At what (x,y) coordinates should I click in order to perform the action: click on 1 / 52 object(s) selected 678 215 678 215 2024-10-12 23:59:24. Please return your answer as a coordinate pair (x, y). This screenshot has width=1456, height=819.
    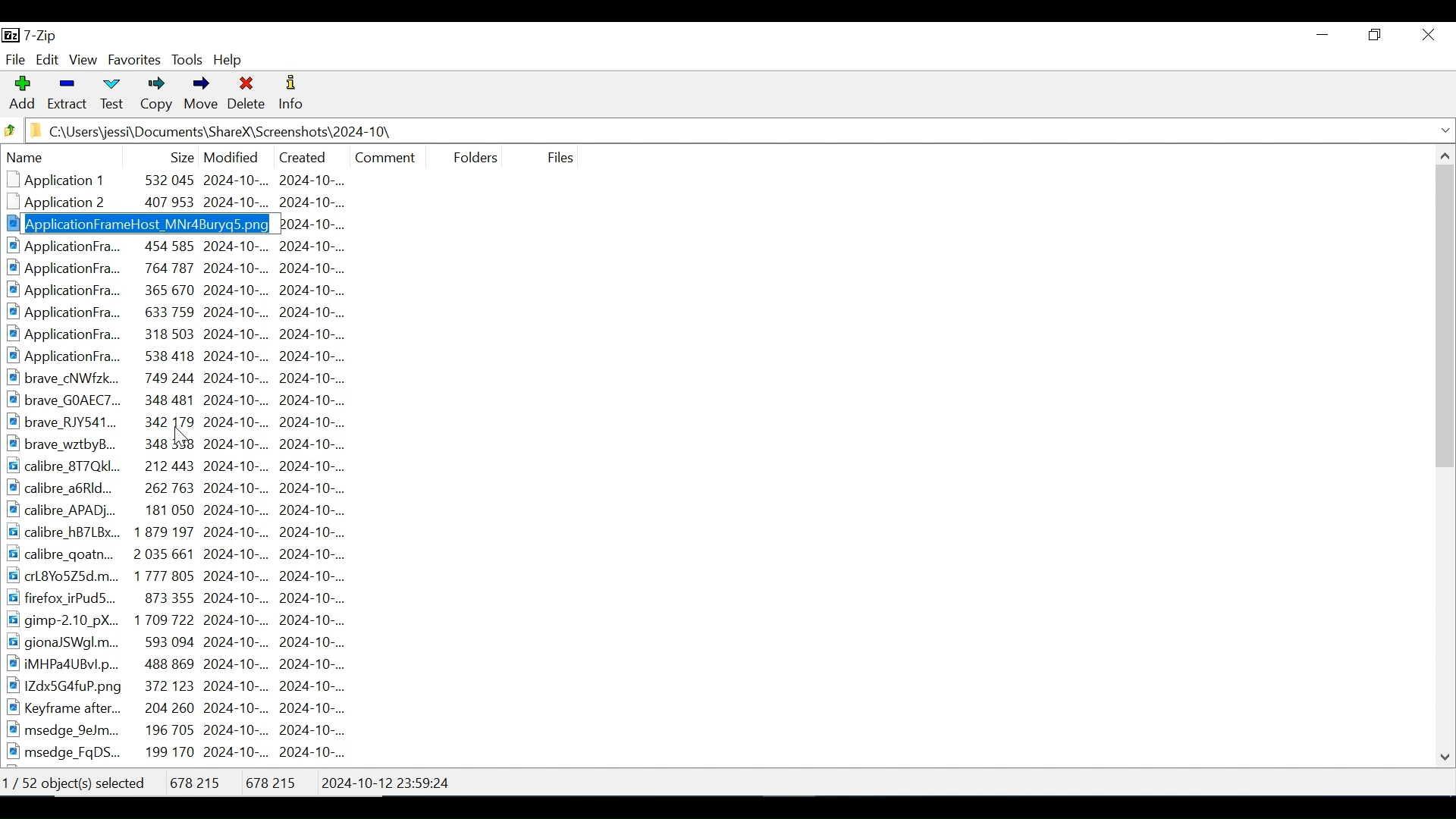
    Looking at the image, I should click on (237, 779).